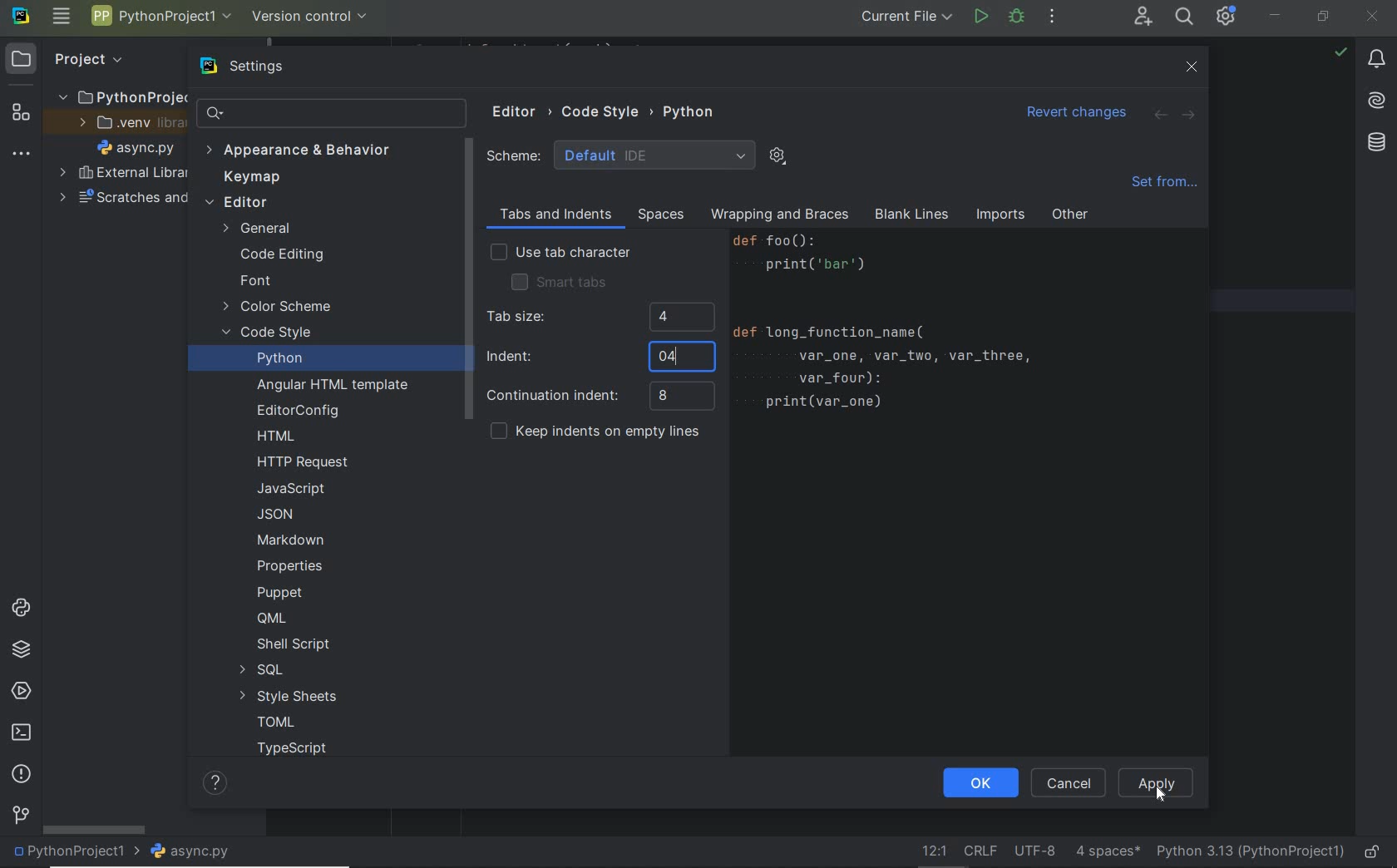 The width and height of the screenshot is (1397, 868). I want to click on SHELL SCRIPT, so click(293, 645).